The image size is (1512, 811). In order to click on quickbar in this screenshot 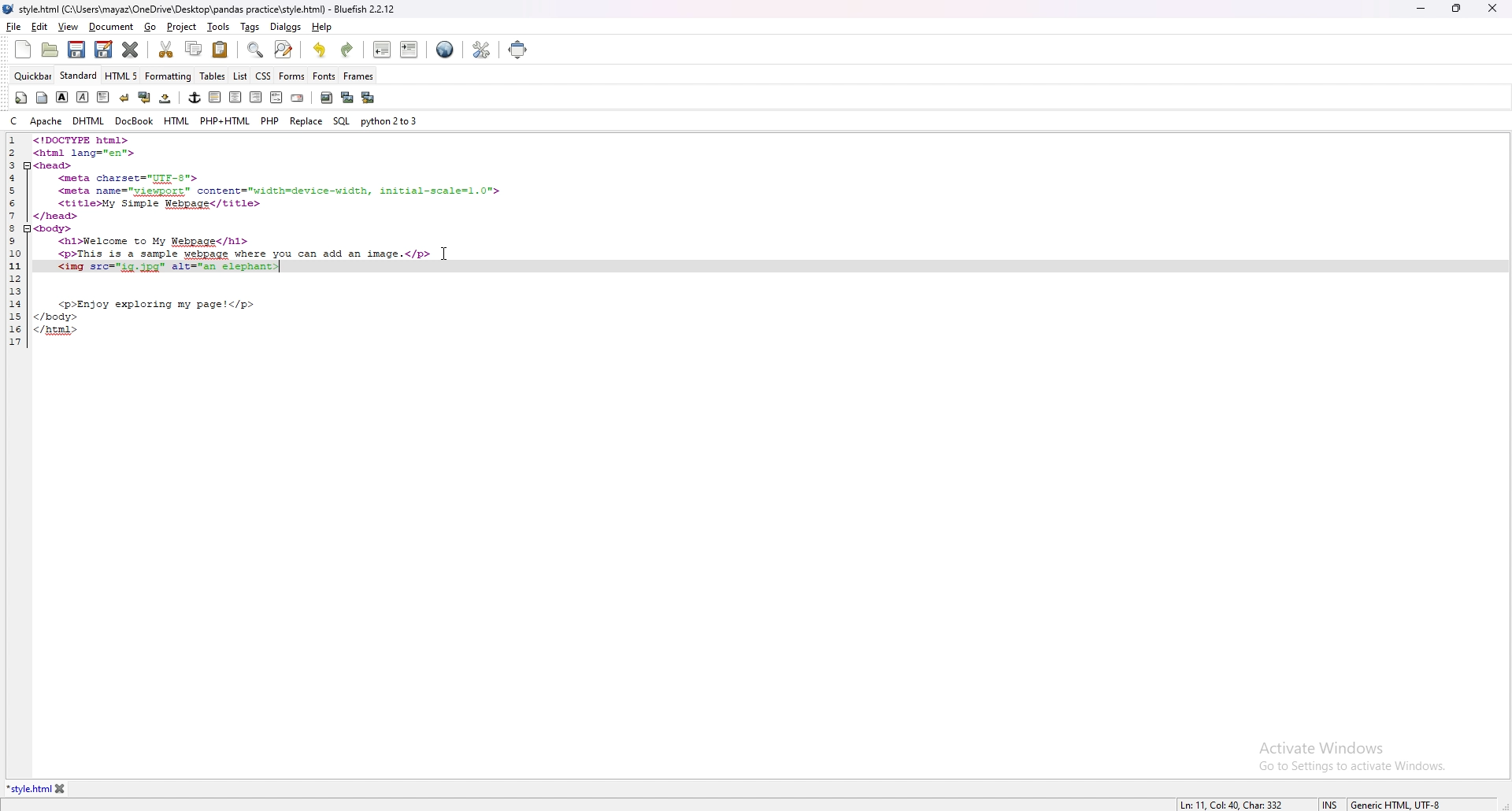, I will do `click(32, 76)`.